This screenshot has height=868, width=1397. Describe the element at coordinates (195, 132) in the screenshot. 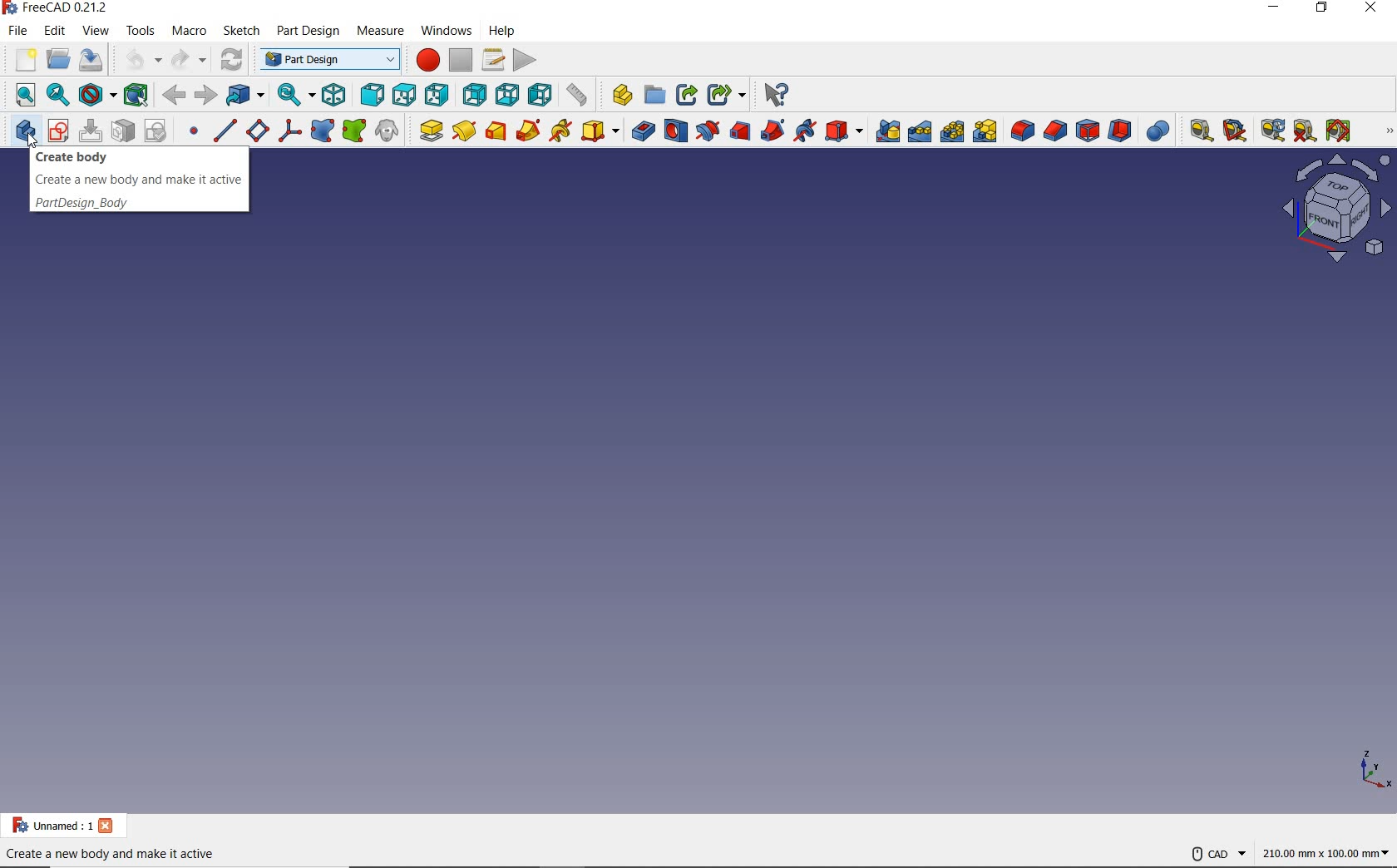

I see `CREATE A DATUM POINT` at that location.